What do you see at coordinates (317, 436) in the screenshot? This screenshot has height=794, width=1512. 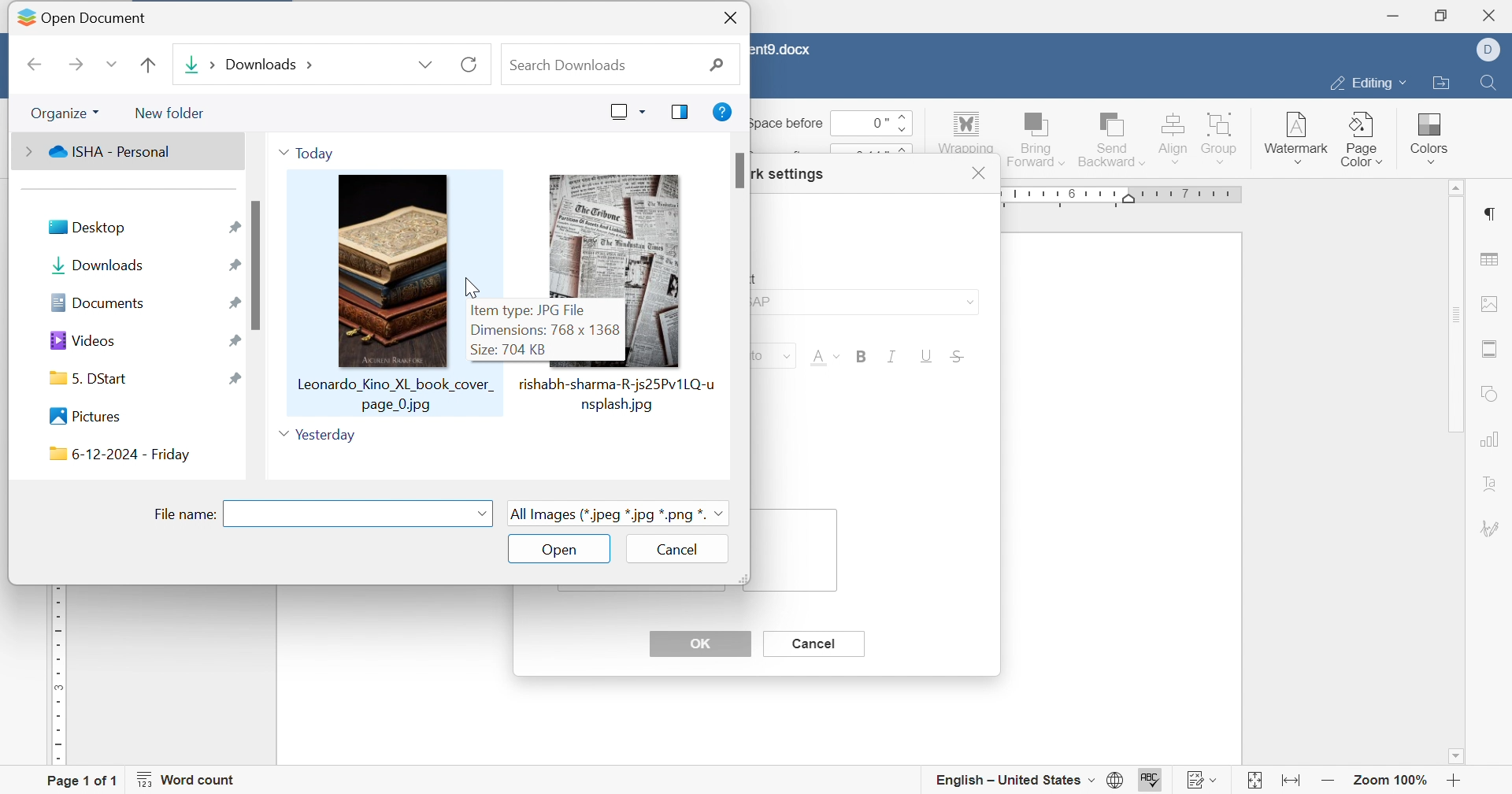 I see `yesterday` at bounding box center [317, 436].